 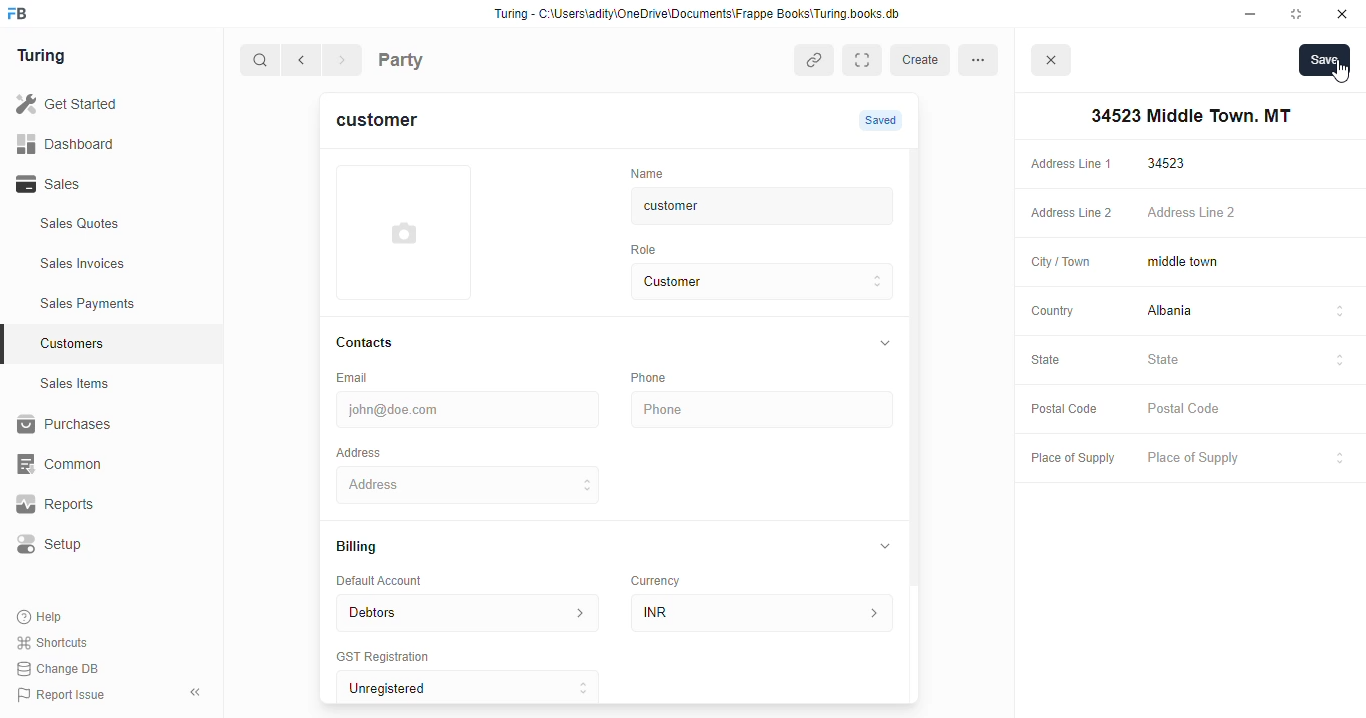 I want to click on Contacts, so click(x=384, y=343).